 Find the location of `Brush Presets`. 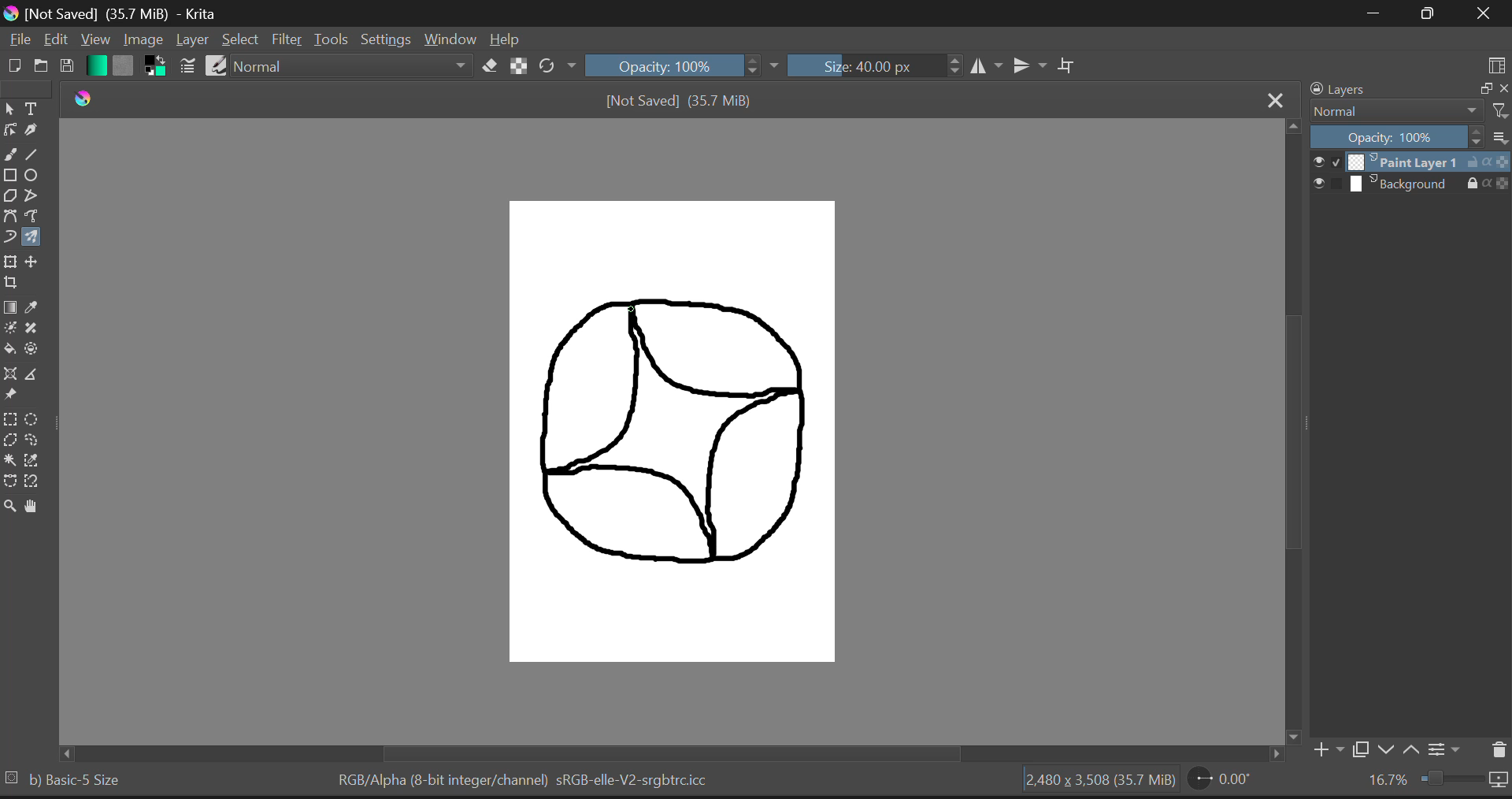

Brush Presets is located at coordinates (217, 65).